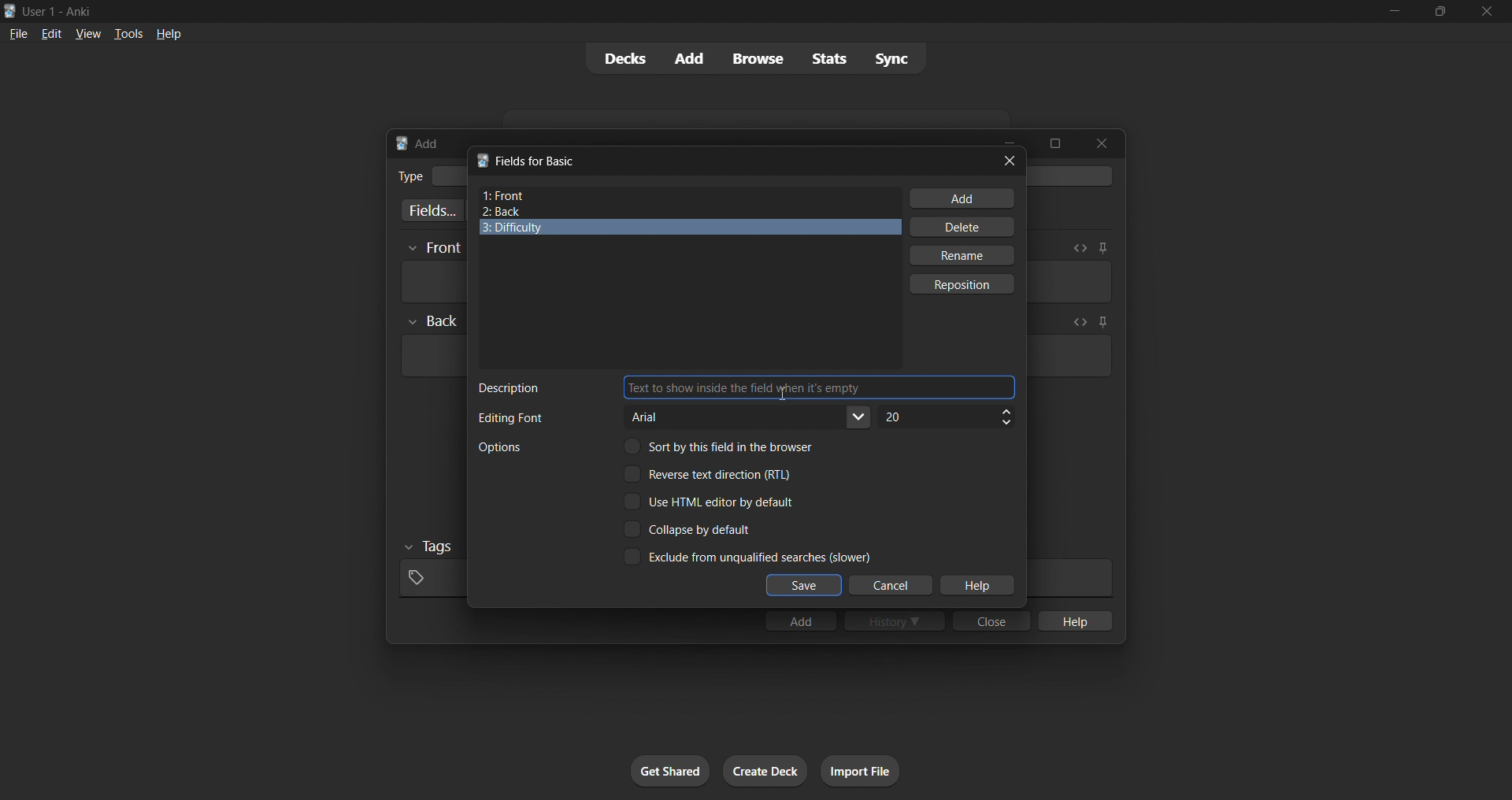 The height and width of the screenshot is (800, 1512). What do you see at coordinates (430, 547) in the screenshot?
I see `` at bounding box center [430, 547].